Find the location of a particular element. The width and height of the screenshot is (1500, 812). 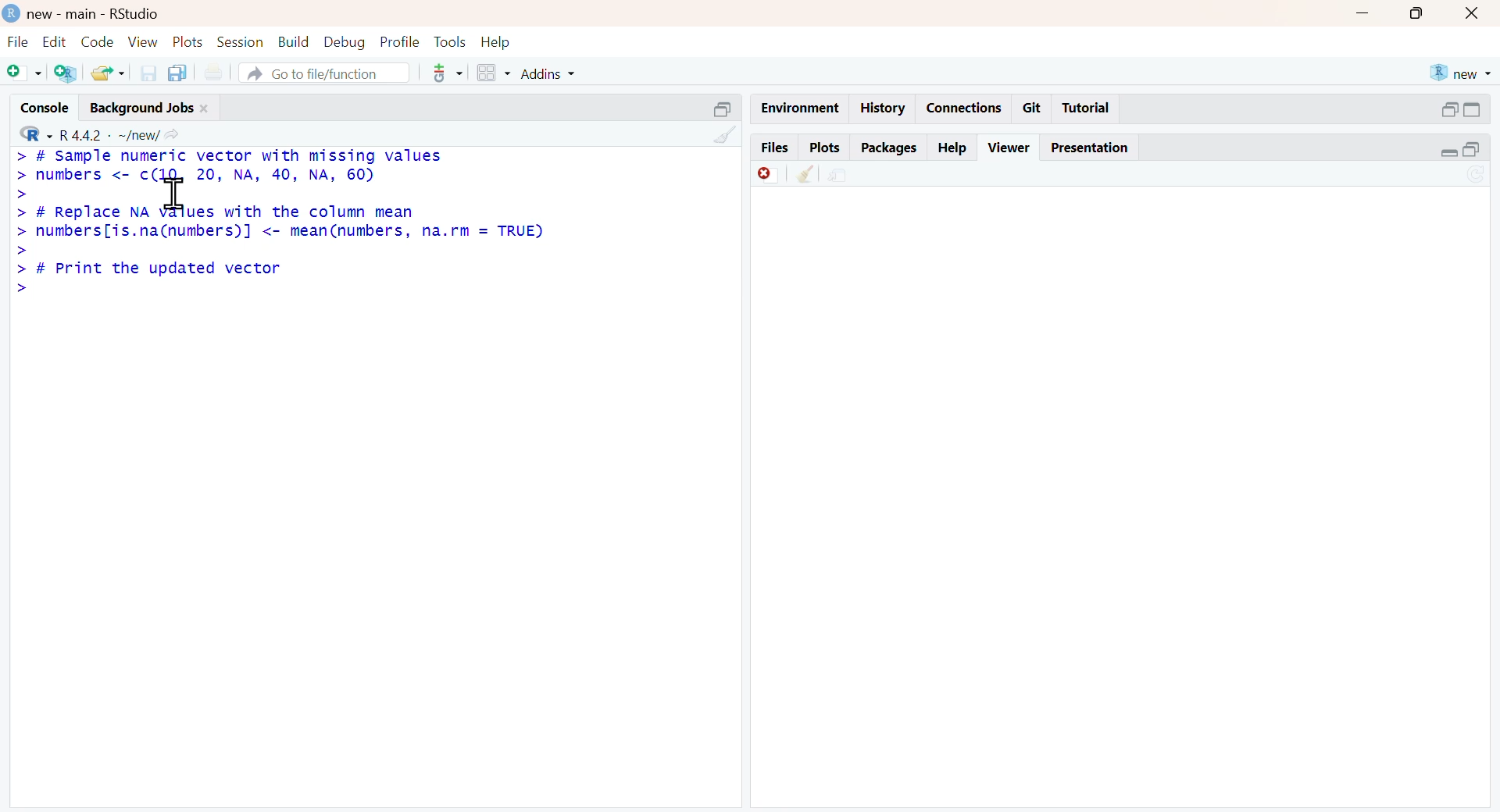

background jobs is located at coordinates (143, 109).